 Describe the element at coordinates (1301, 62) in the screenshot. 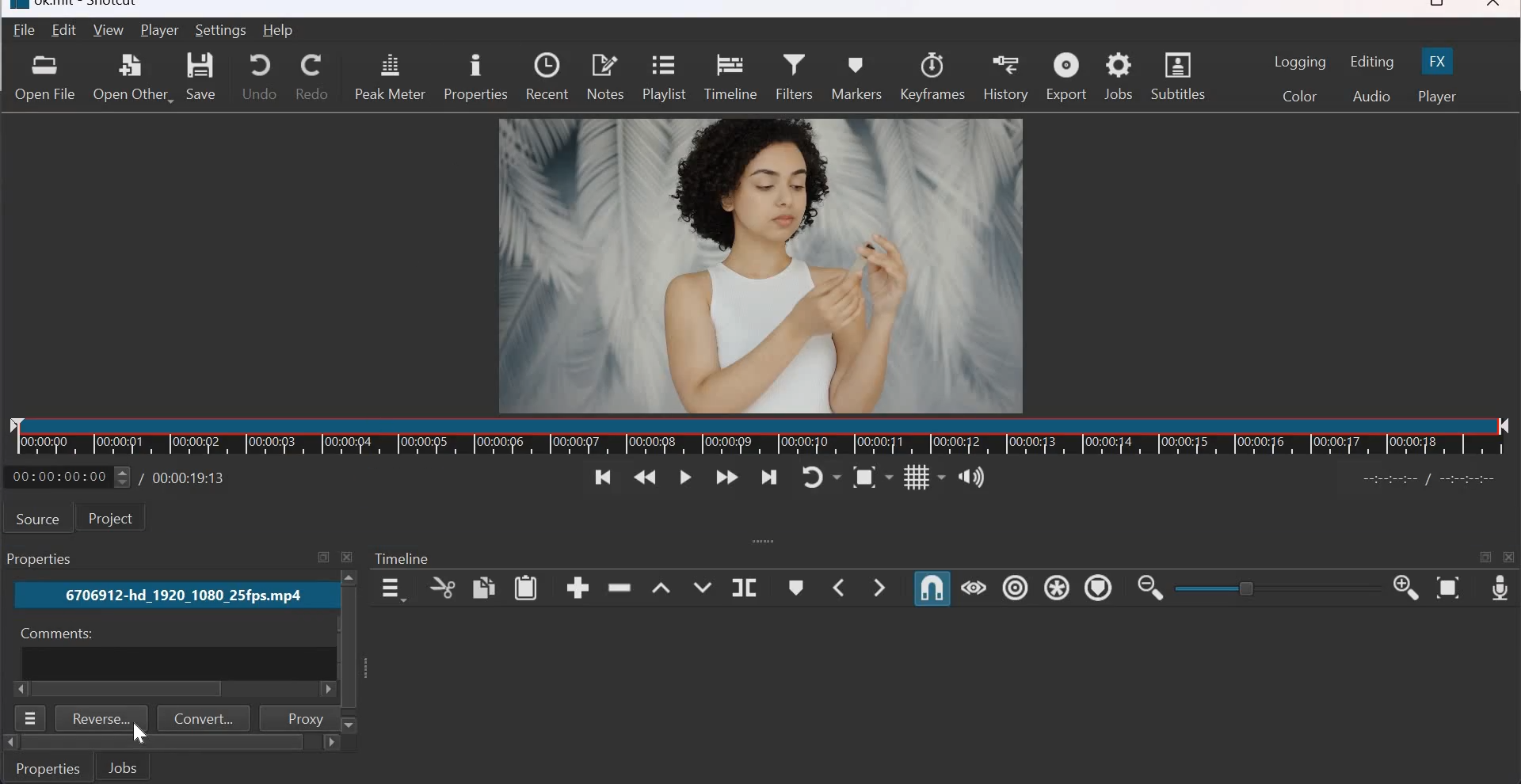

I see `Logging` at that location.